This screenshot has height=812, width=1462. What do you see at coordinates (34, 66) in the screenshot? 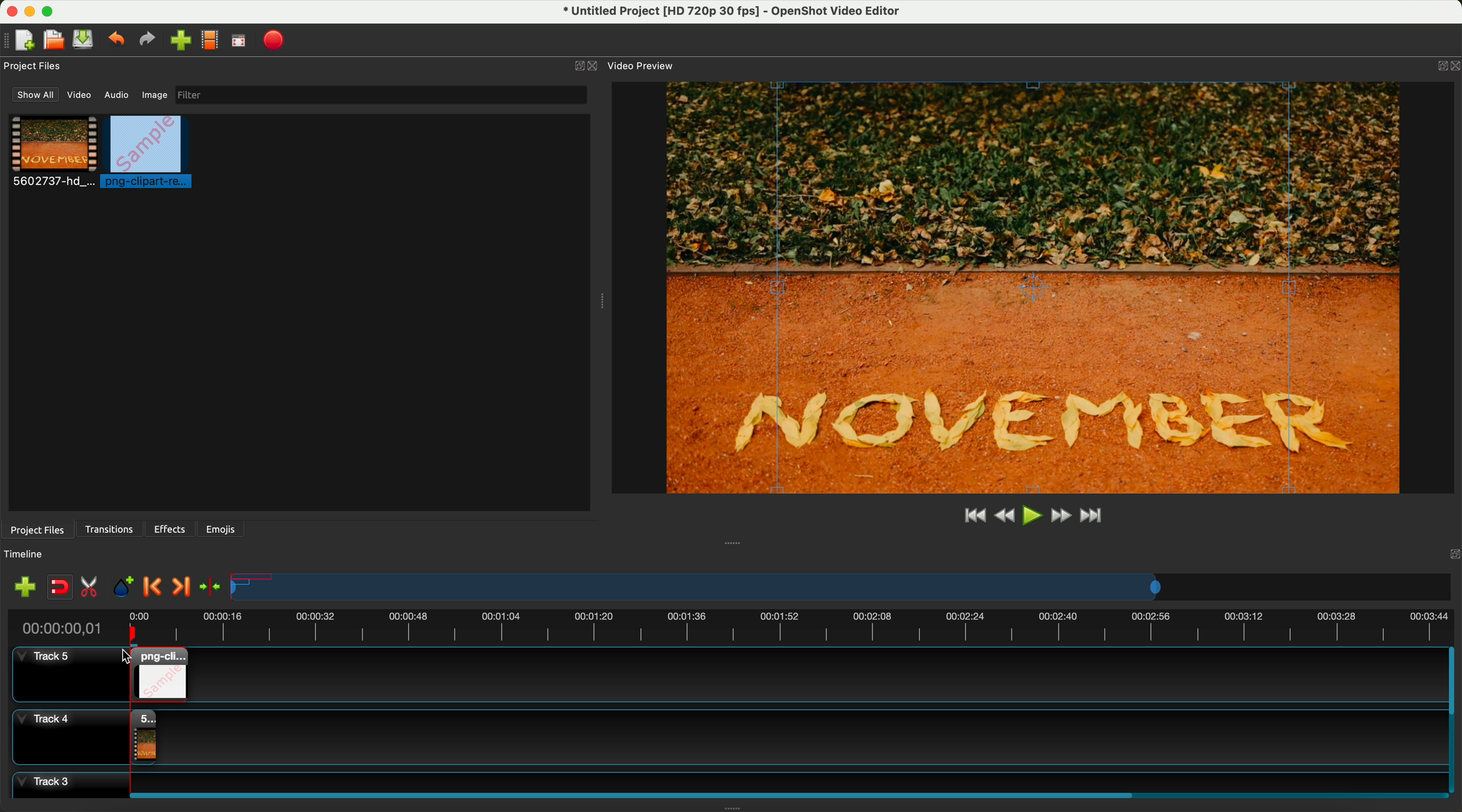
I see `project files` at bounding box center [34, 66].